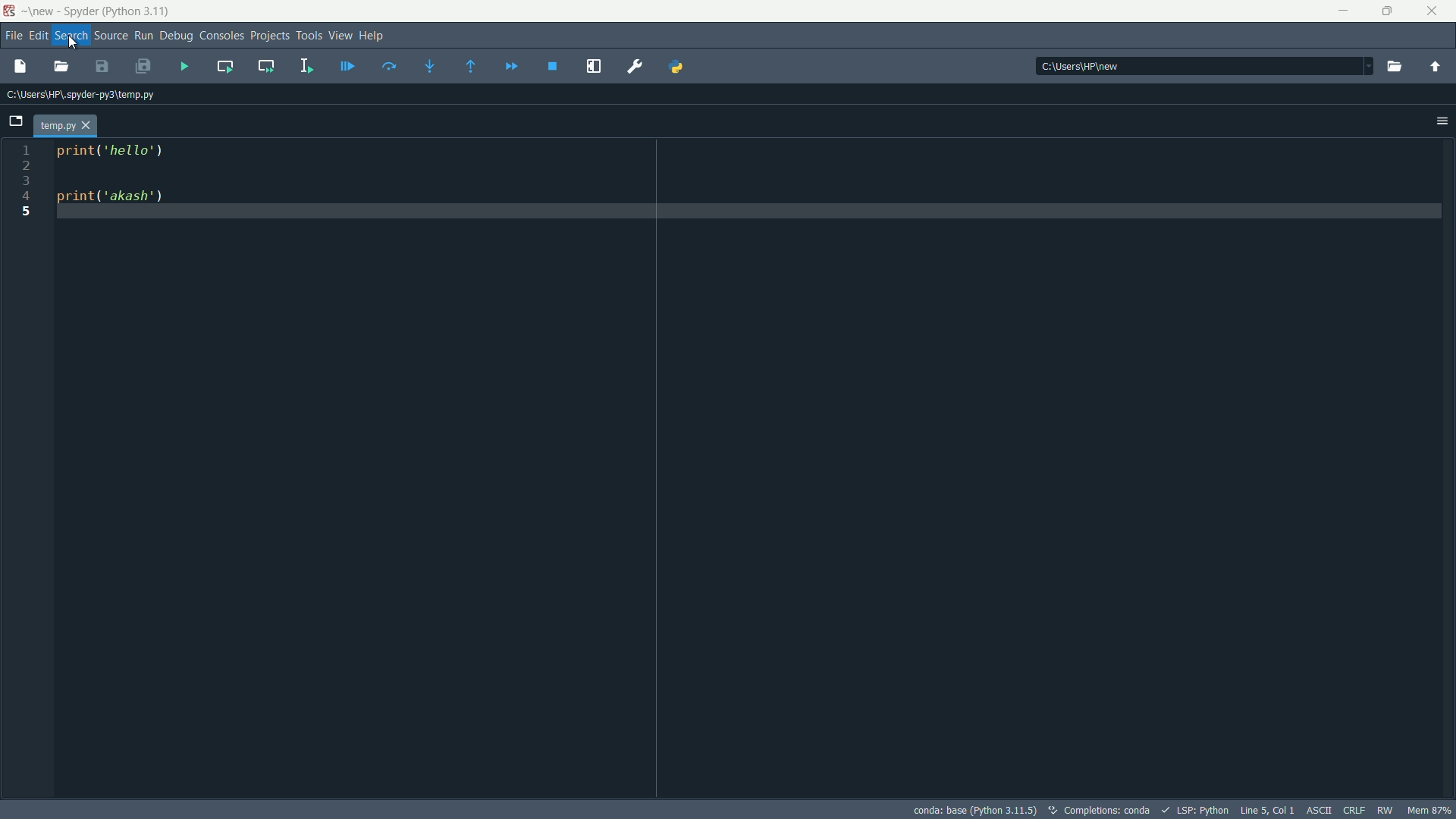  I want to click on options, so click(1442, 121).